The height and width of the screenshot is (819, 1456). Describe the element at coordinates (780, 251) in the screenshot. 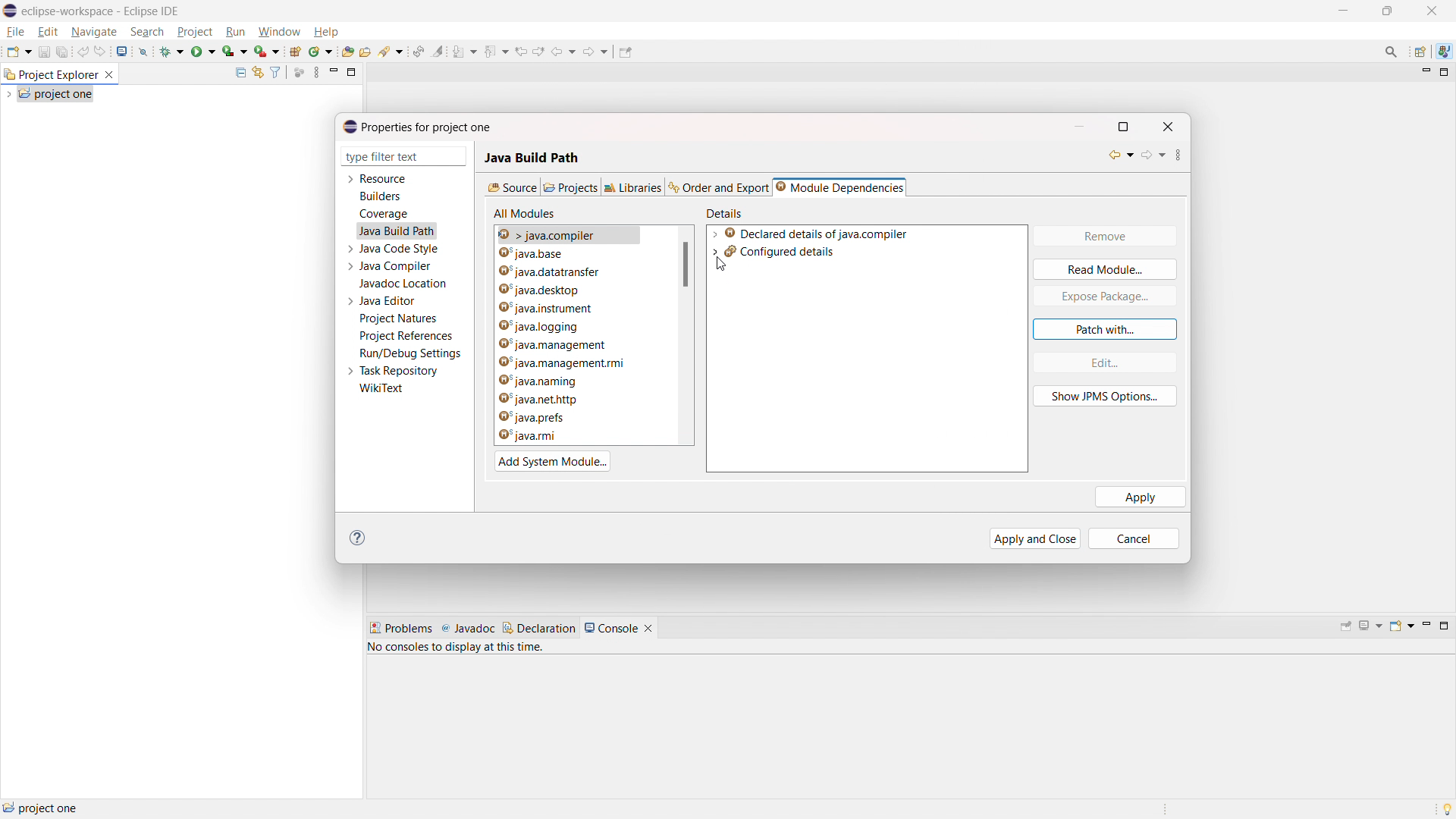

I see `configured details` at that location.